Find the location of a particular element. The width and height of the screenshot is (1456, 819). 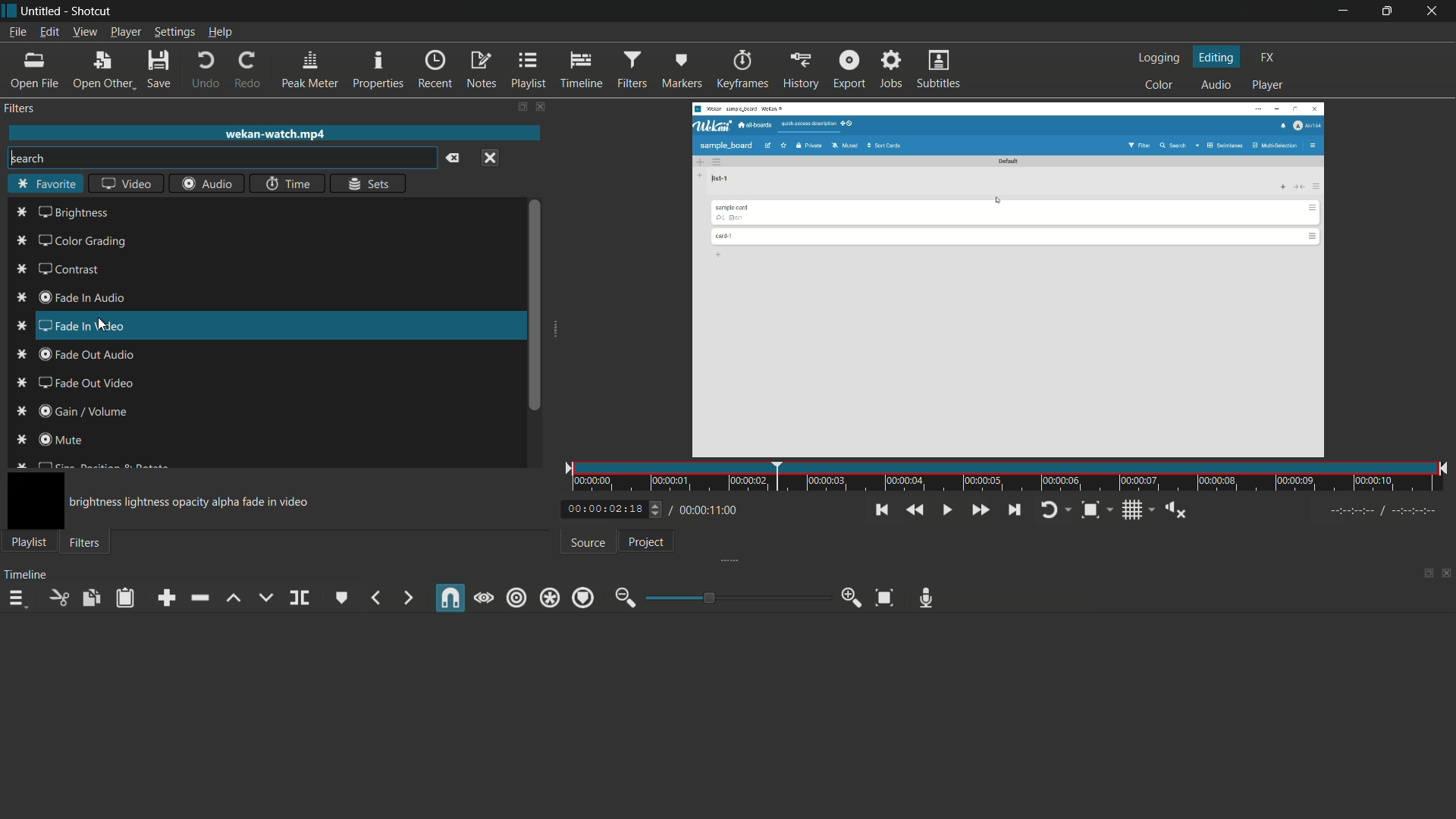

fade in audio is located at coordinates (71, 298).